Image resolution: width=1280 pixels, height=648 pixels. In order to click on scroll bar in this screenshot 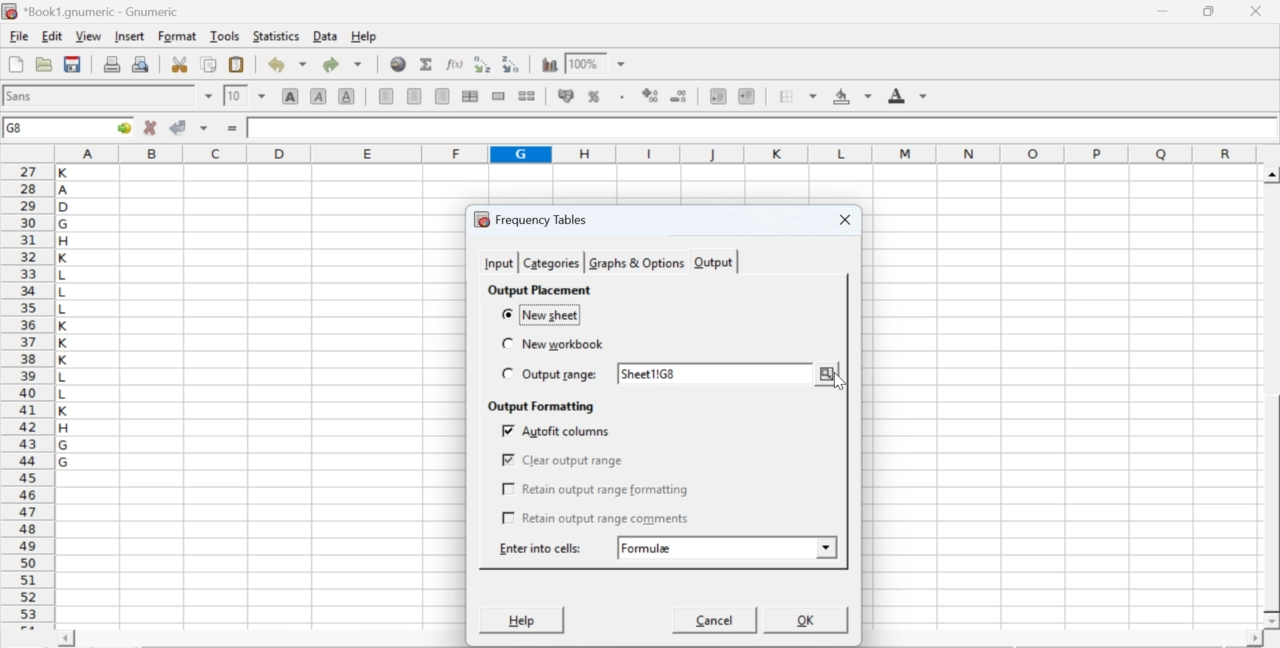, I will do `click(1272, 398)`.